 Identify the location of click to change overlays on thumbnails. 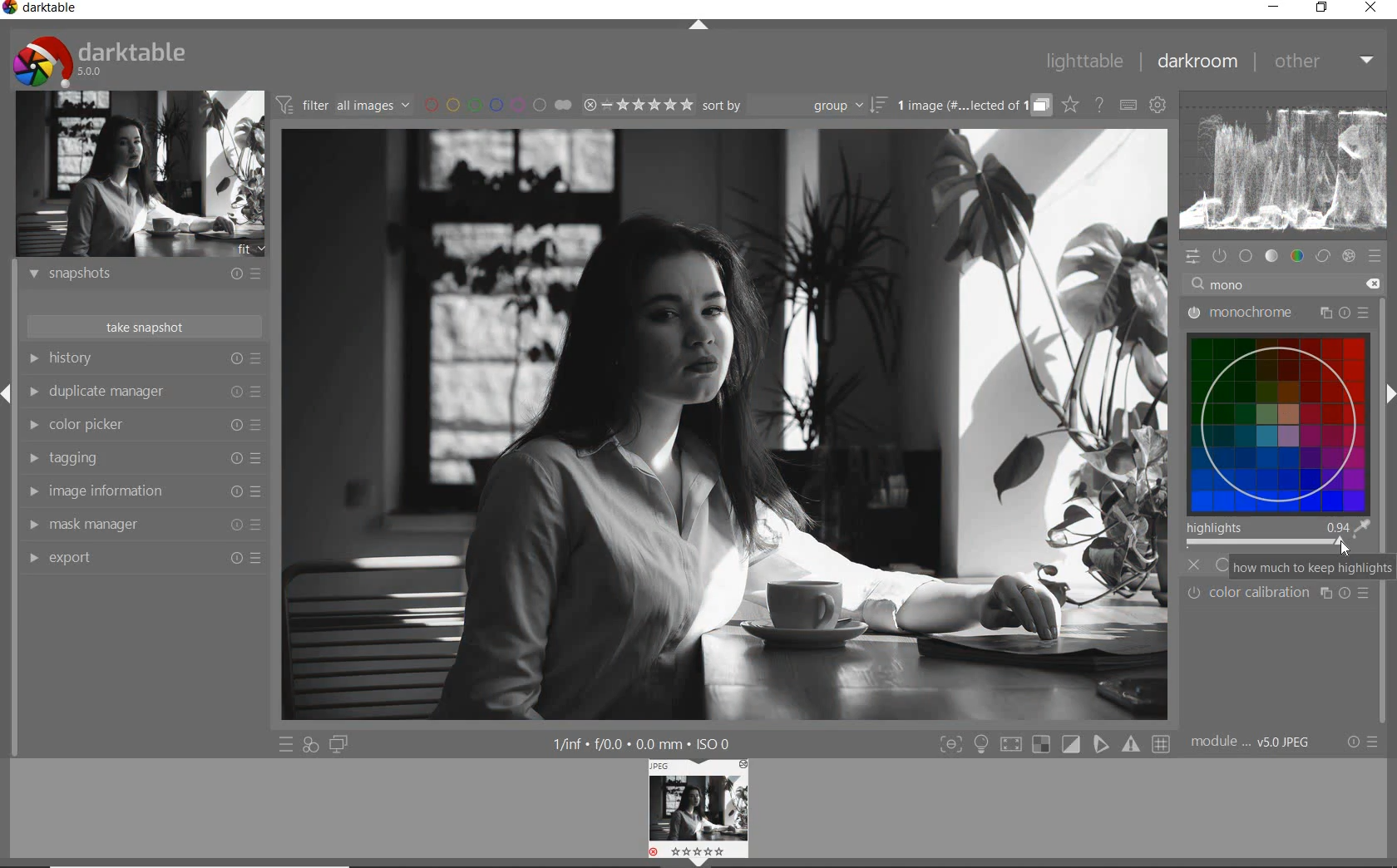
(1071, 106).